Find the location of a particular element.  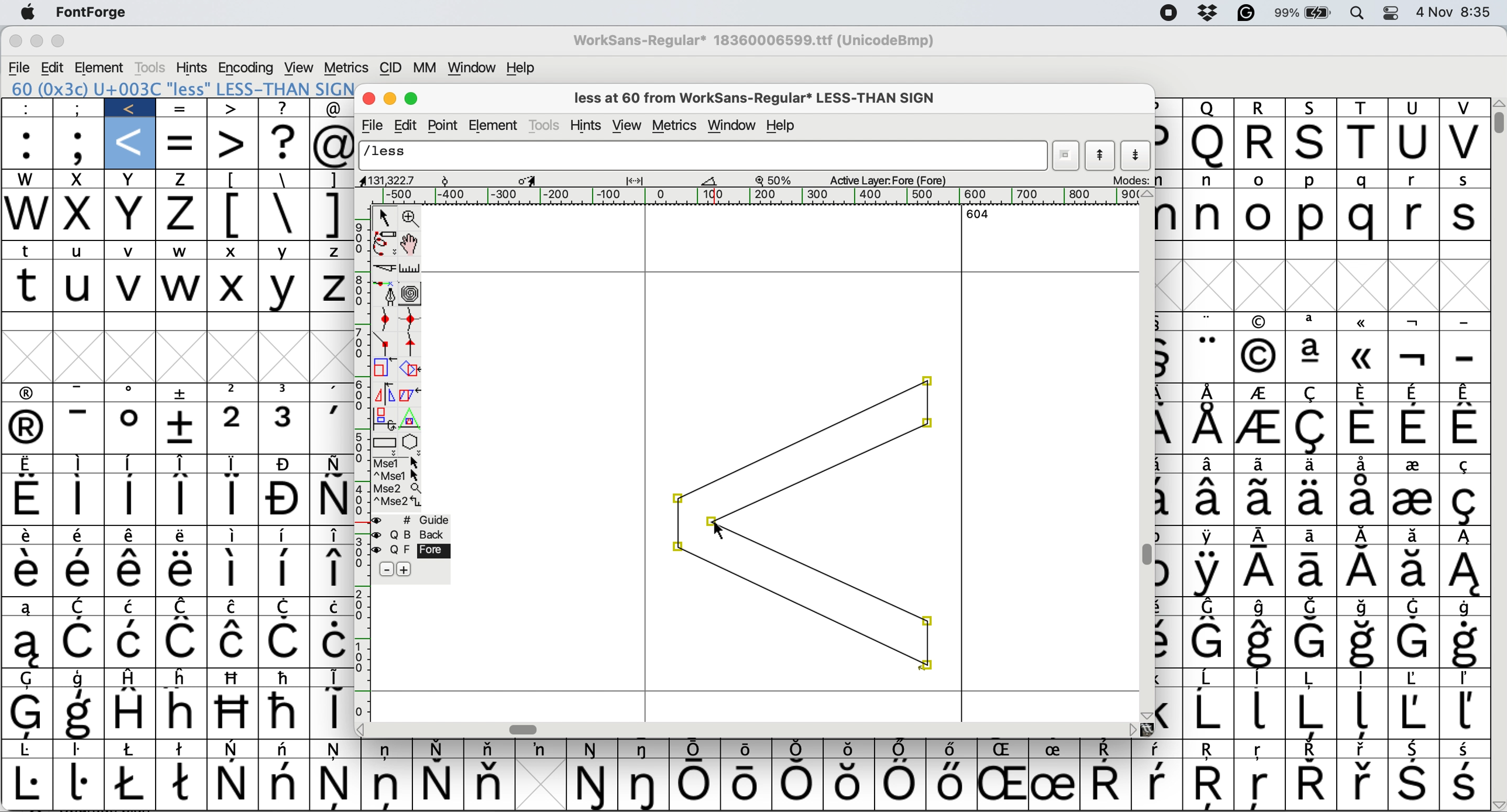

v is located at coordinates (131, 285).